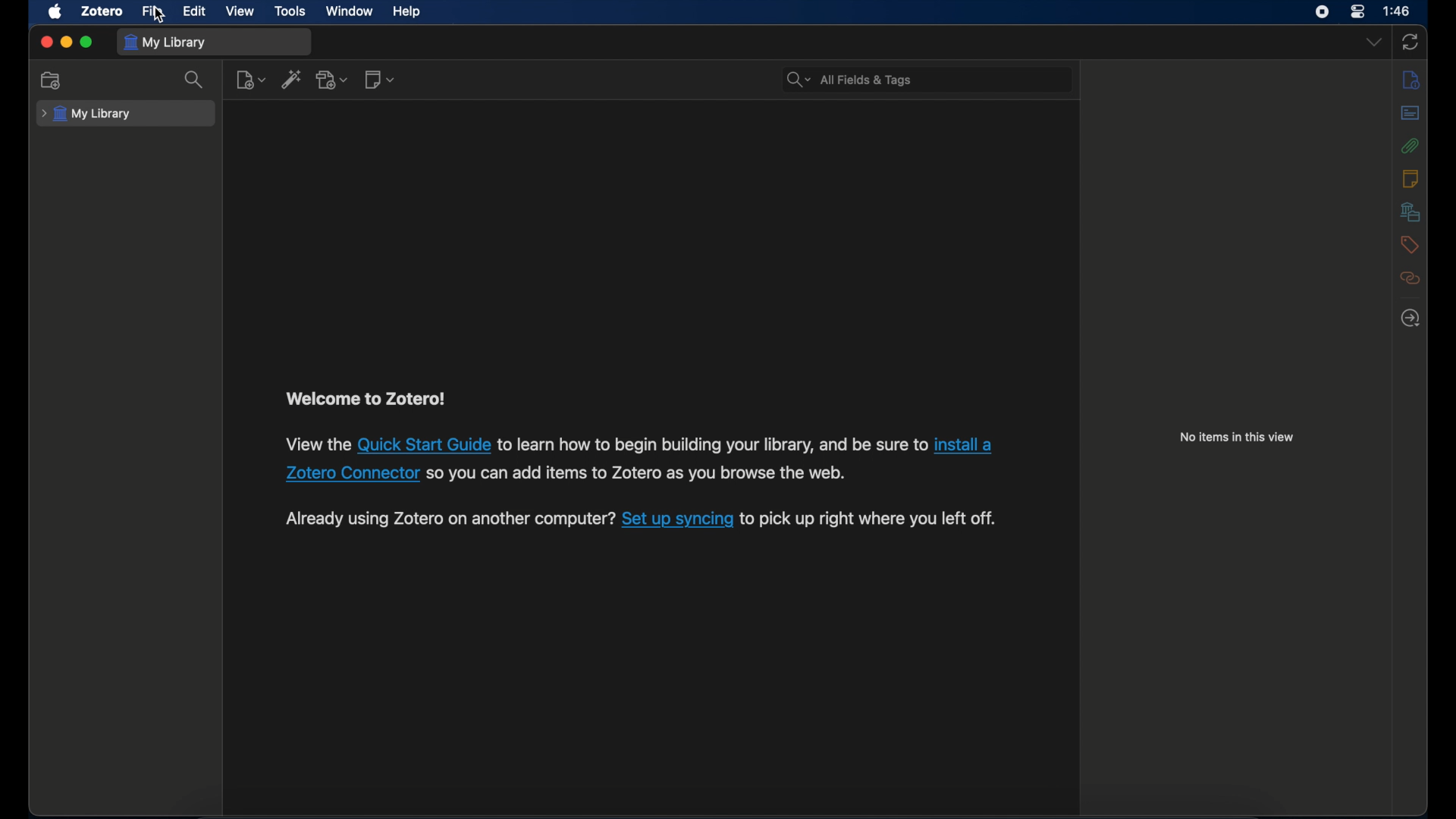 Image resolution: width=1456 pixels, height=819 pixels. I want to click on so you can add items to Zotero as you browse the web., so click(639, 475).